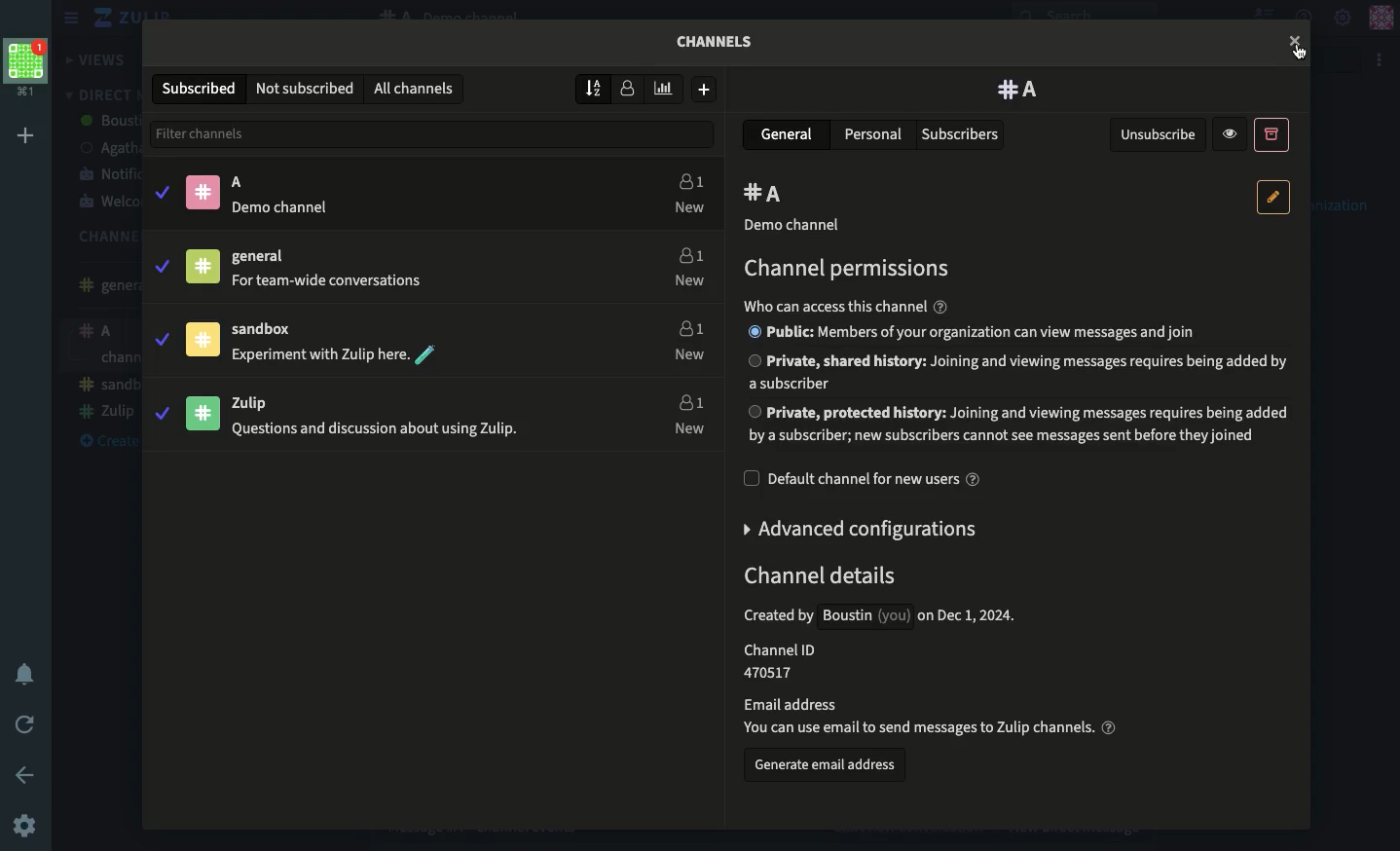 Image resolution: width=1400 pixels, height=851 pixels. What do you see at coordinates (843, 270) in the screenshot?
I see `Channel permissions` at bounding box center [843, 270].